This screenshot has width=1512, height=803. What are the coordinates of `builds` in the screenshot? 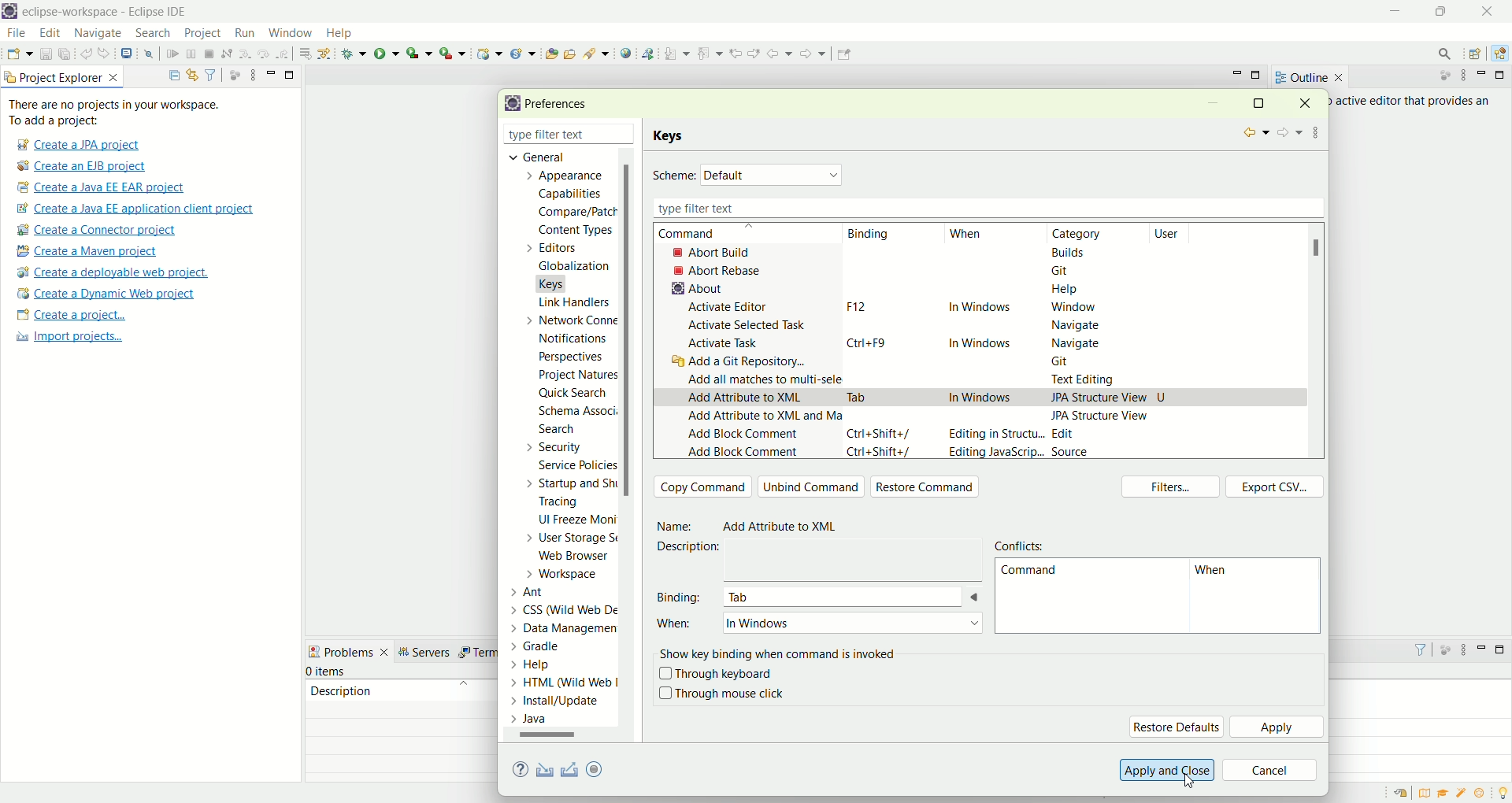 It's located at (1069, 252).